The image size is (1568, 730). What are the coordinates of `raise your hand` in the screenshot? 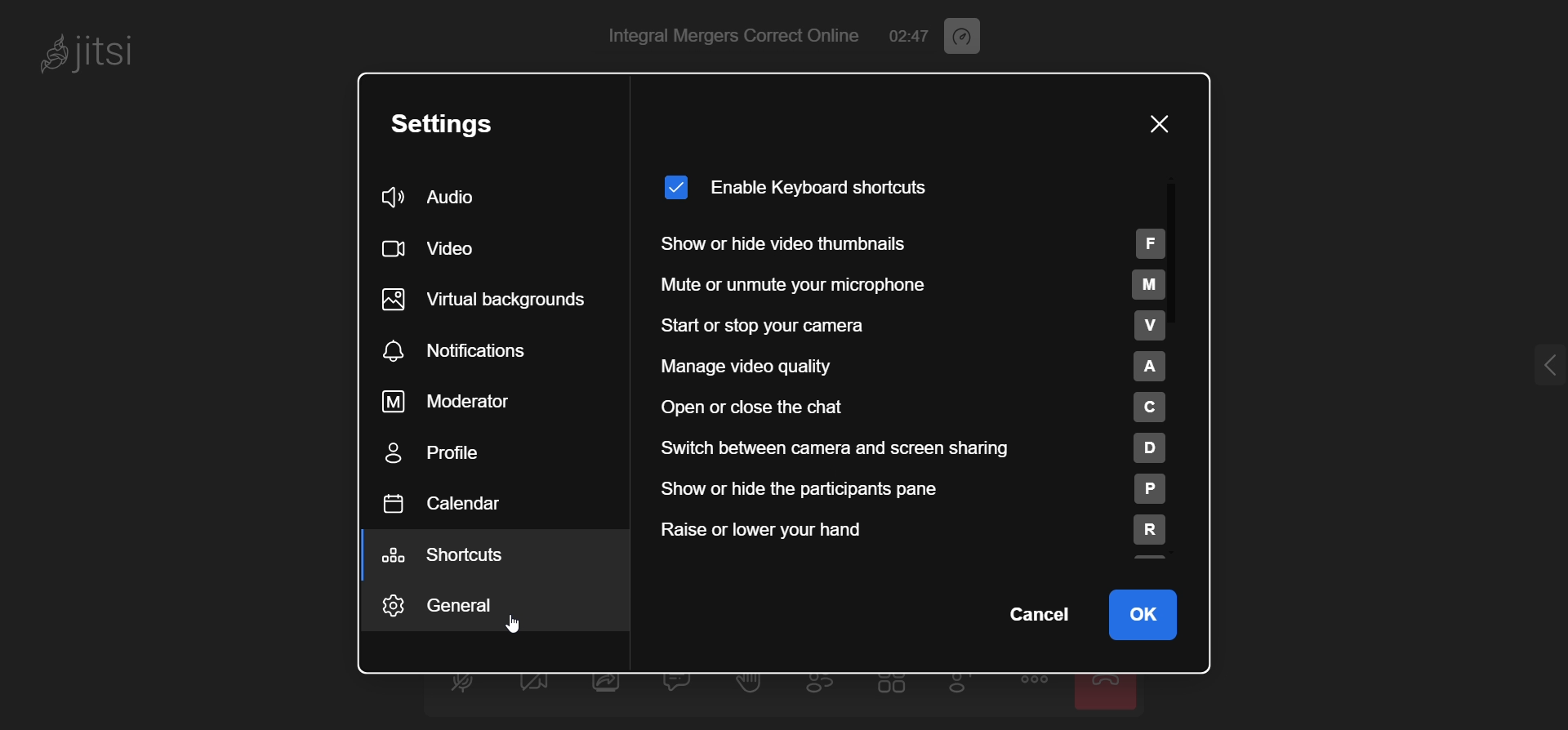 It's located at (749, 682).